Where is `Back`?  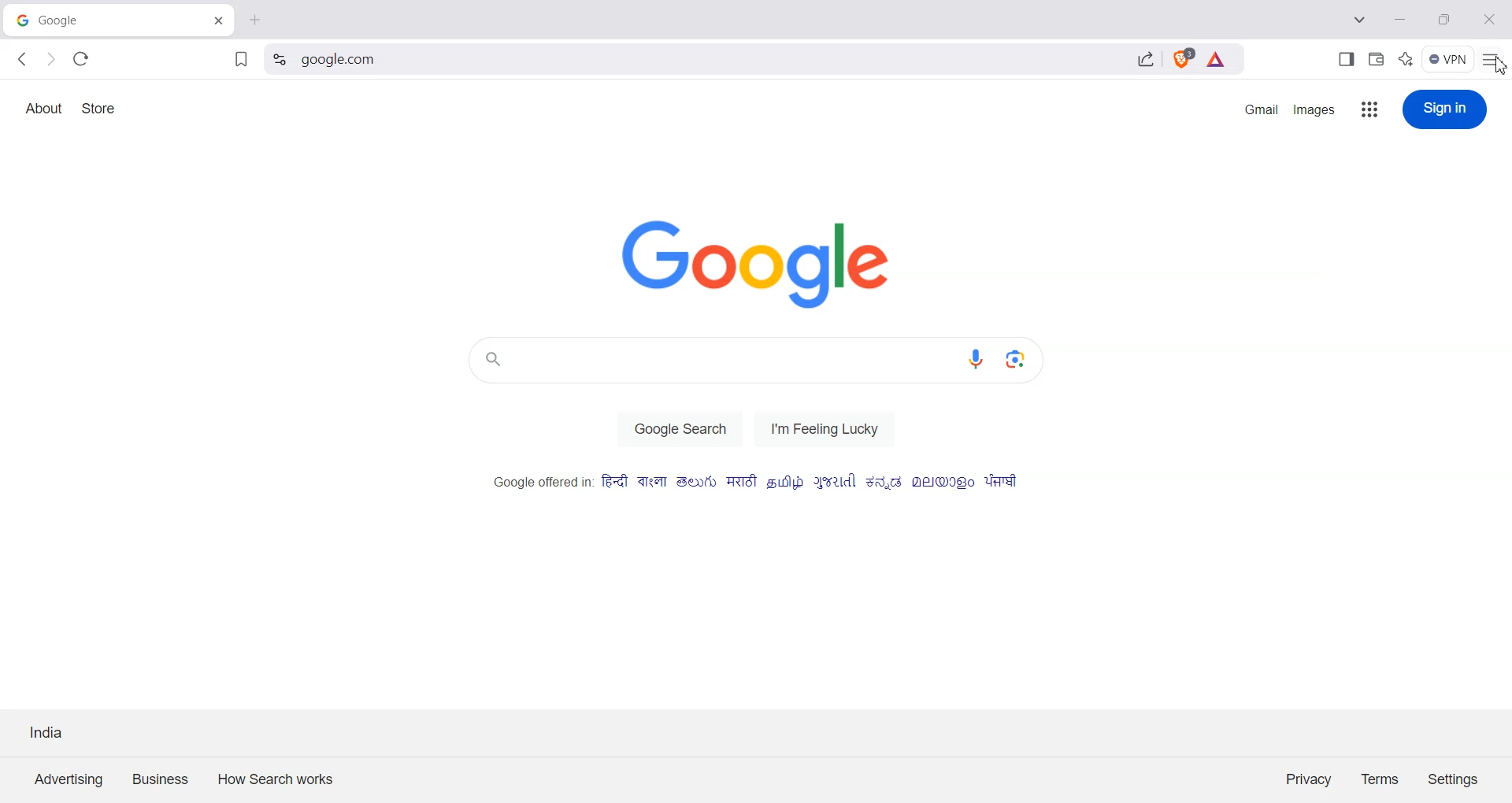
Back is located at coordinates (24, 59).